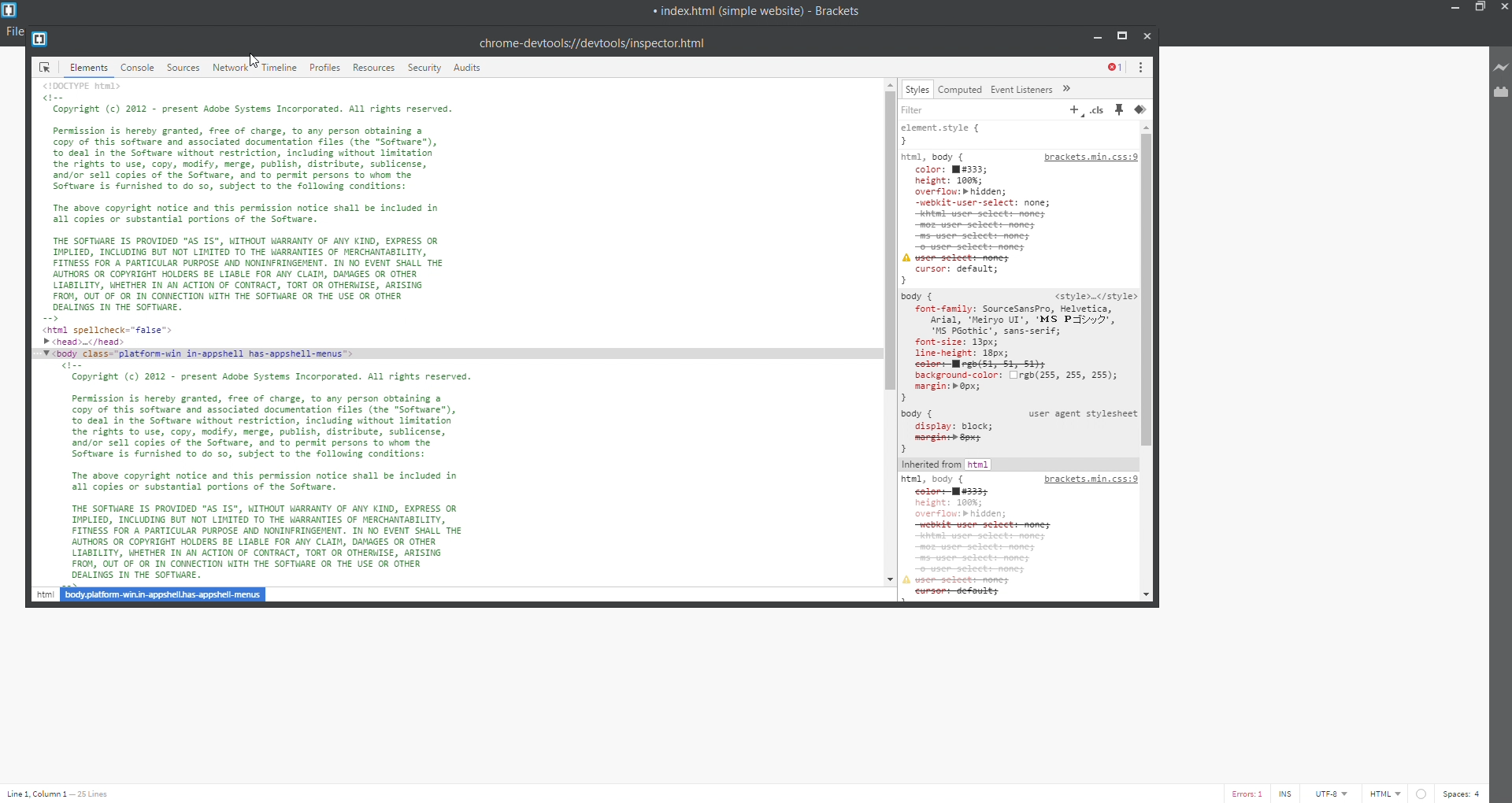  I want to click on event listners, so click(1032, 89).